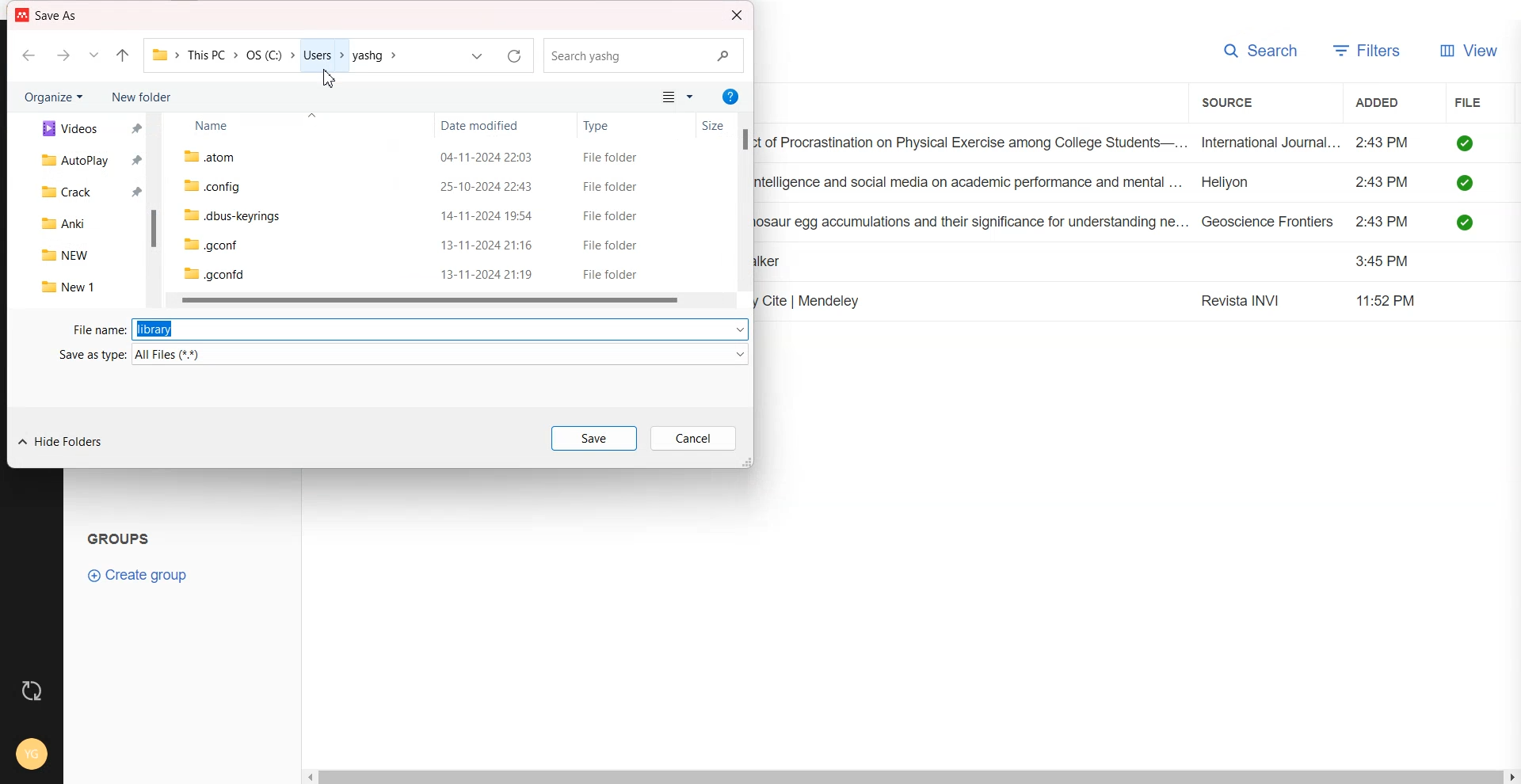 The height and width of the screenshot is (784, 1521). What do you see at coordinates (1385, 222) in the screenshot?
I see `2:43PM` at bounding box center [1385, 222].